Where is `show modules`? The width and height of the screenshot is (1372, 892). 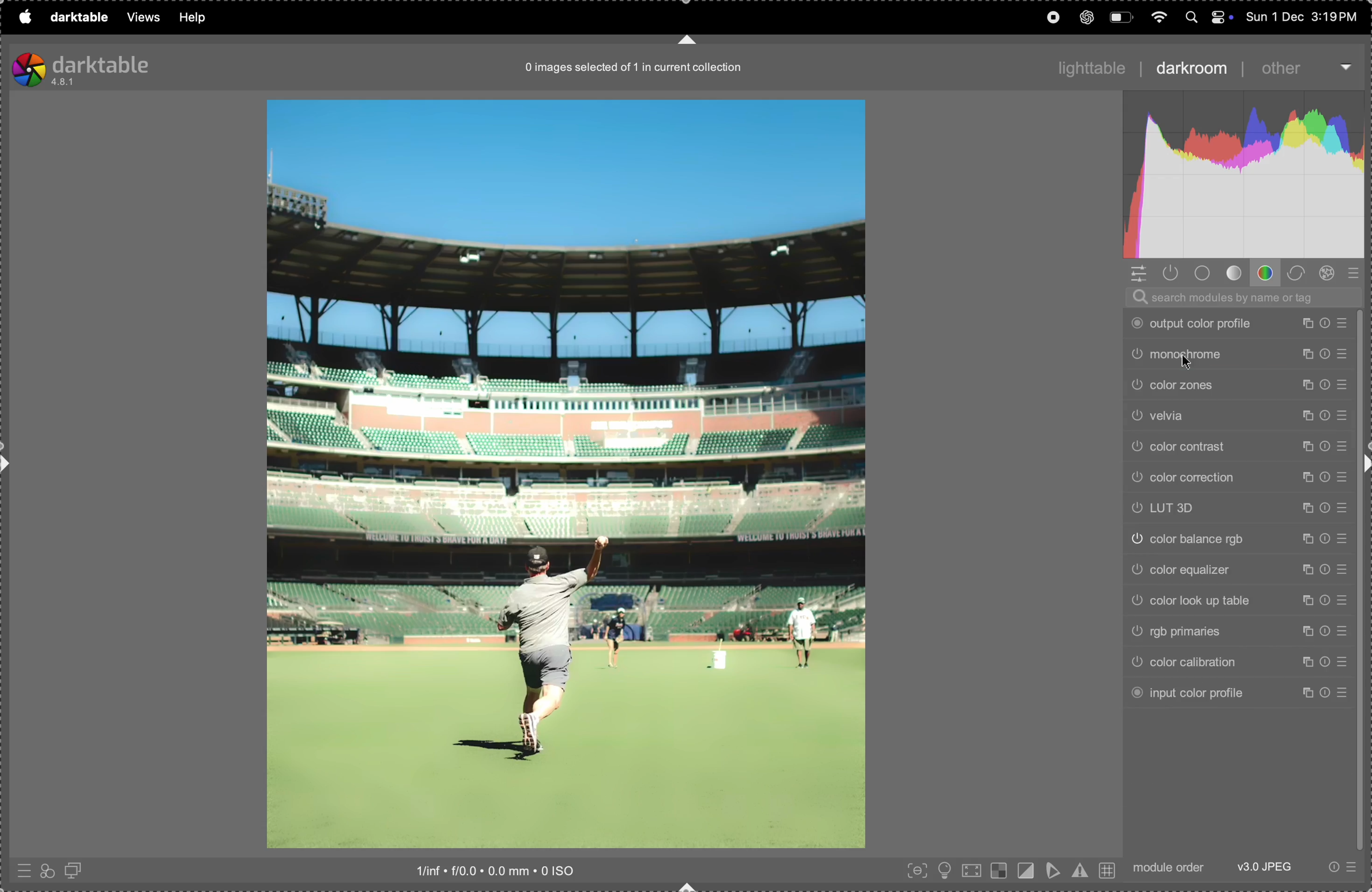
show modules is located at coordinates (1171, 273).